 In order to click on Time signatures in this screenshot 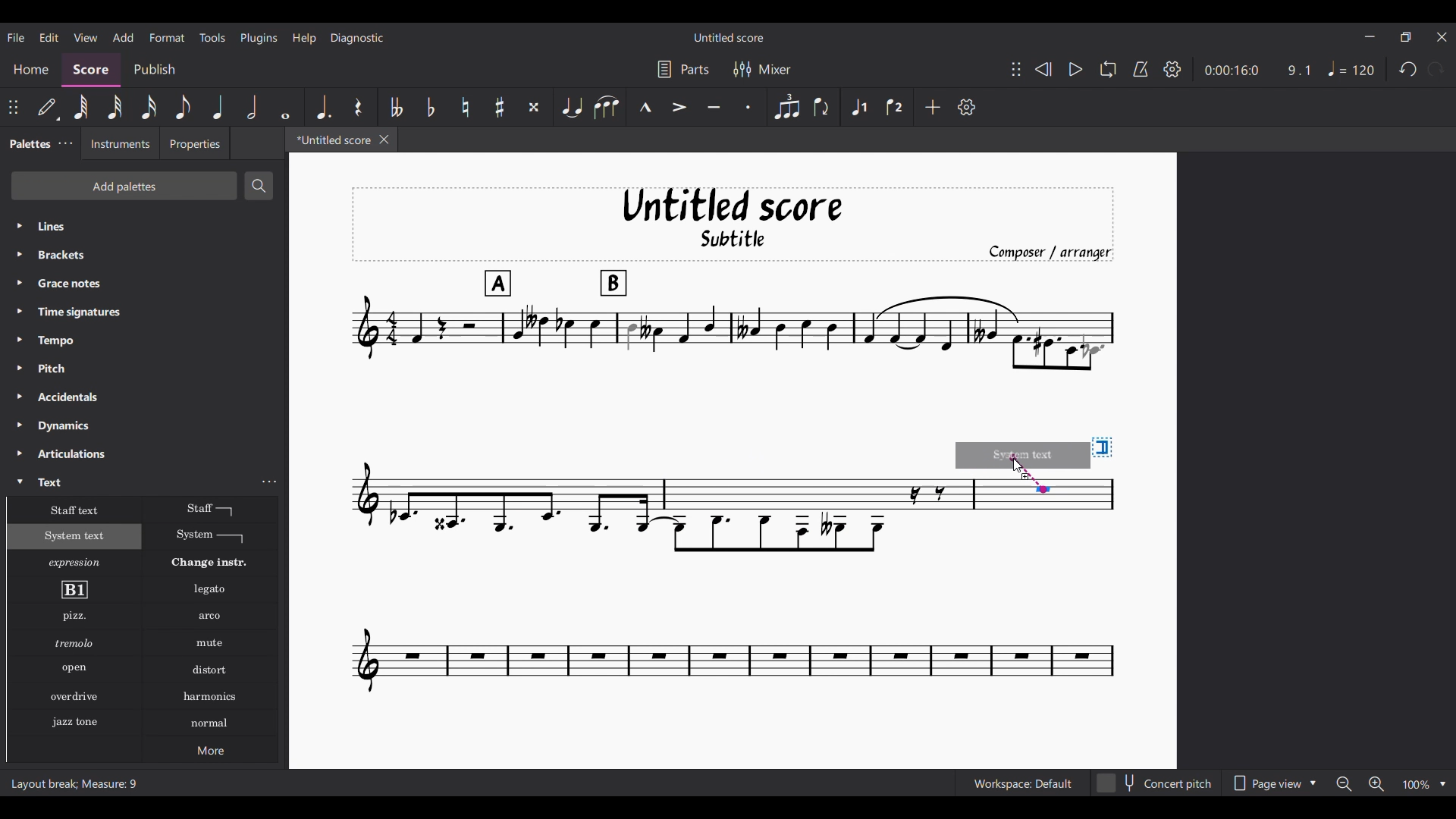, I will do `click(145, 312)`.